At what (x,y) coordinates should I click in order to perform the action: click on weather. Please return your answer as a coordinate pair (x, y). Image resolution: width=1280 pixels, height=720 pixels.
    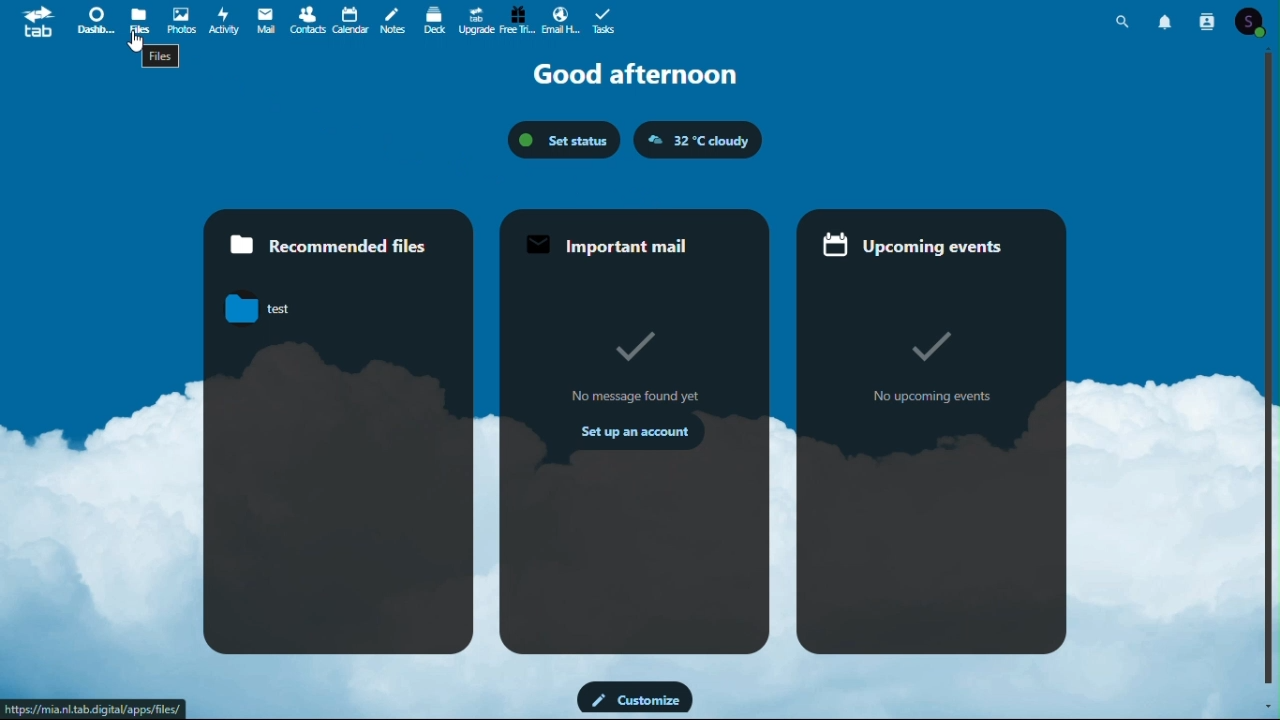
    Looking at the image, I should click on (699, 140).